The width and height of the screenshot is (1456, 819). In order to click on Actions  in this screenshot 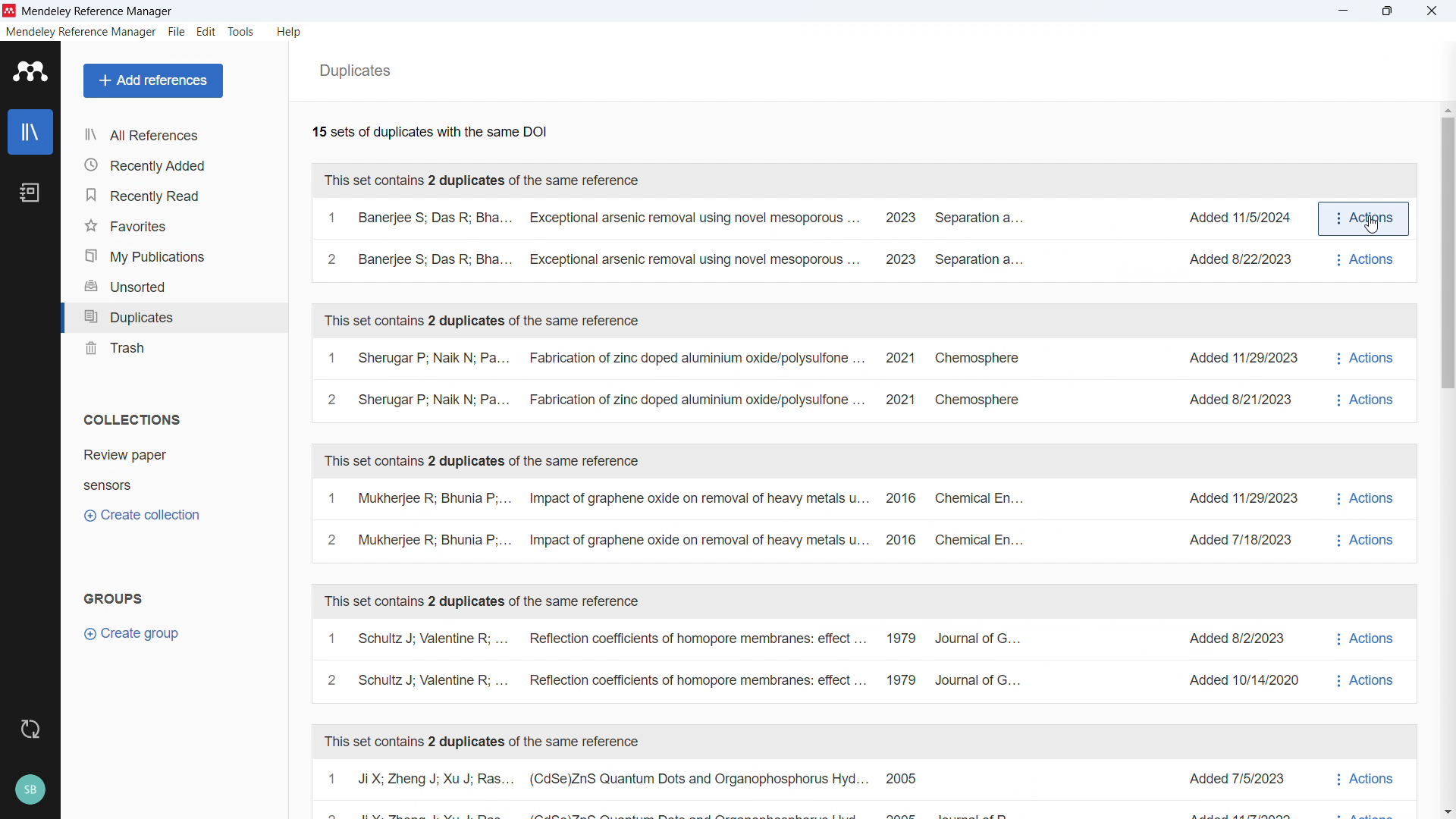, I will do `click(1363, 521)`.